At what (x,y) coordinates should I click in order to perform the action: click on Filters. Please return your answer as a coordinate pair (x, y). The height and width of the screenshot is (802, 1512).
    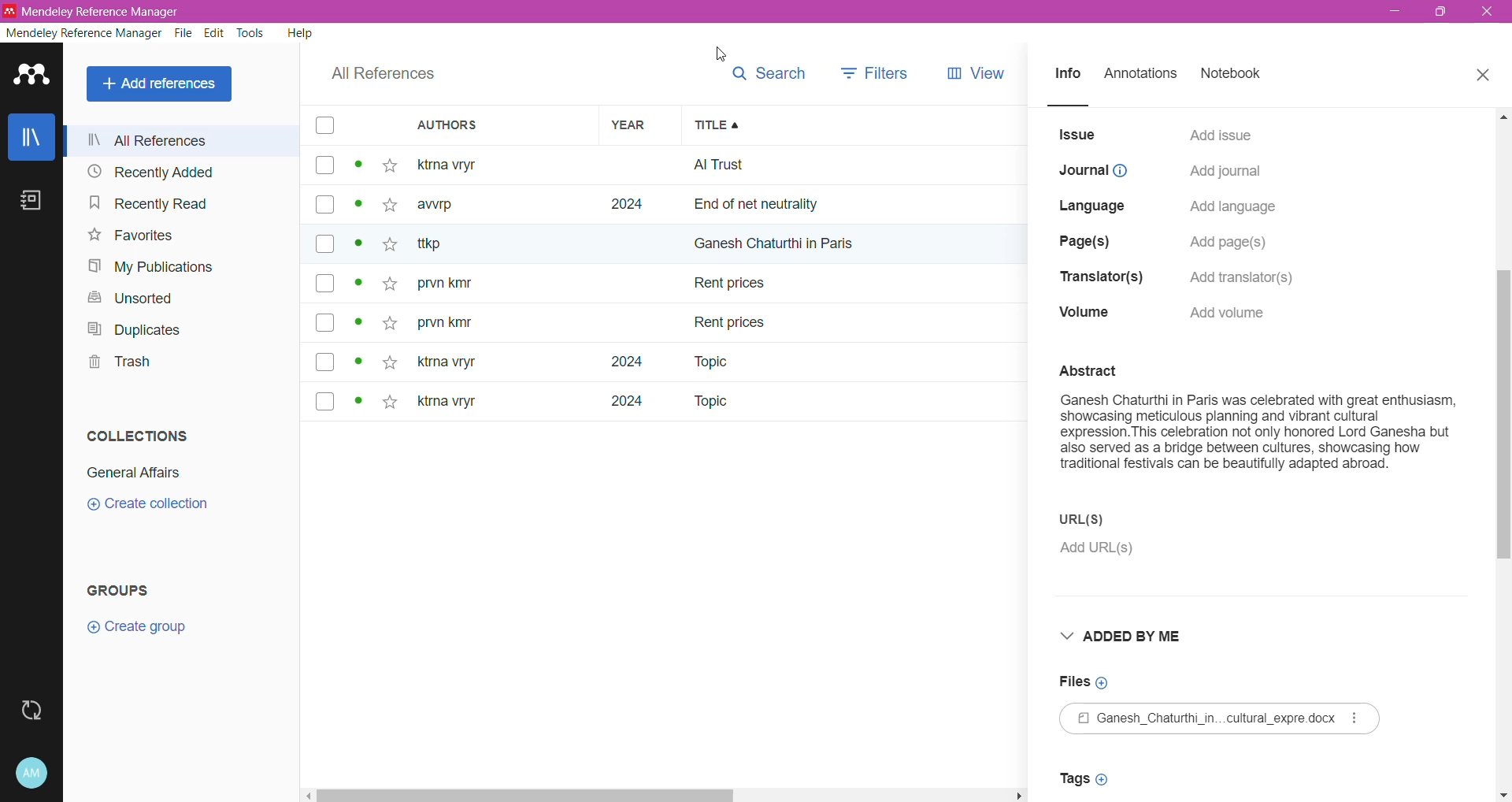
    Looking at the image, I should click on (876, 69).